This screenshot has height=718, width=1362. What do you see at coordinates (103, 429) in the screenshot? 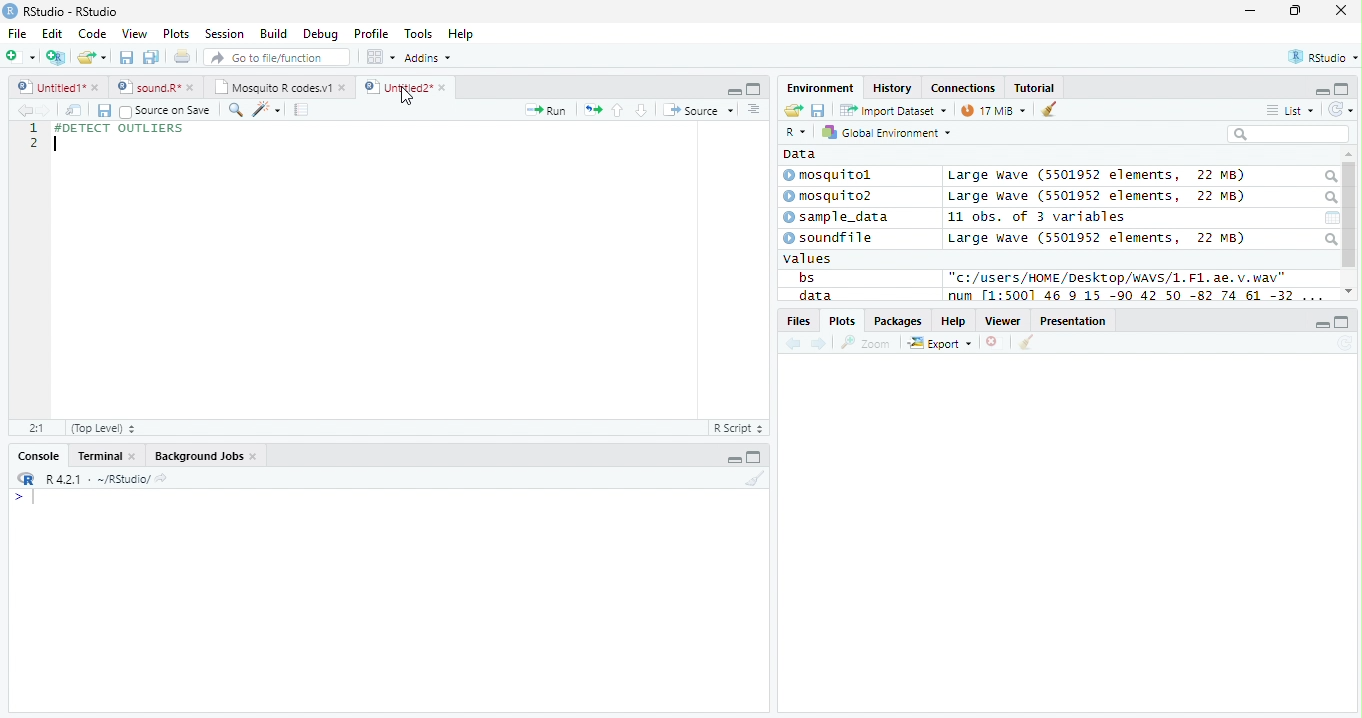
I see `(Top Level)` at bounding box center [103, 429].